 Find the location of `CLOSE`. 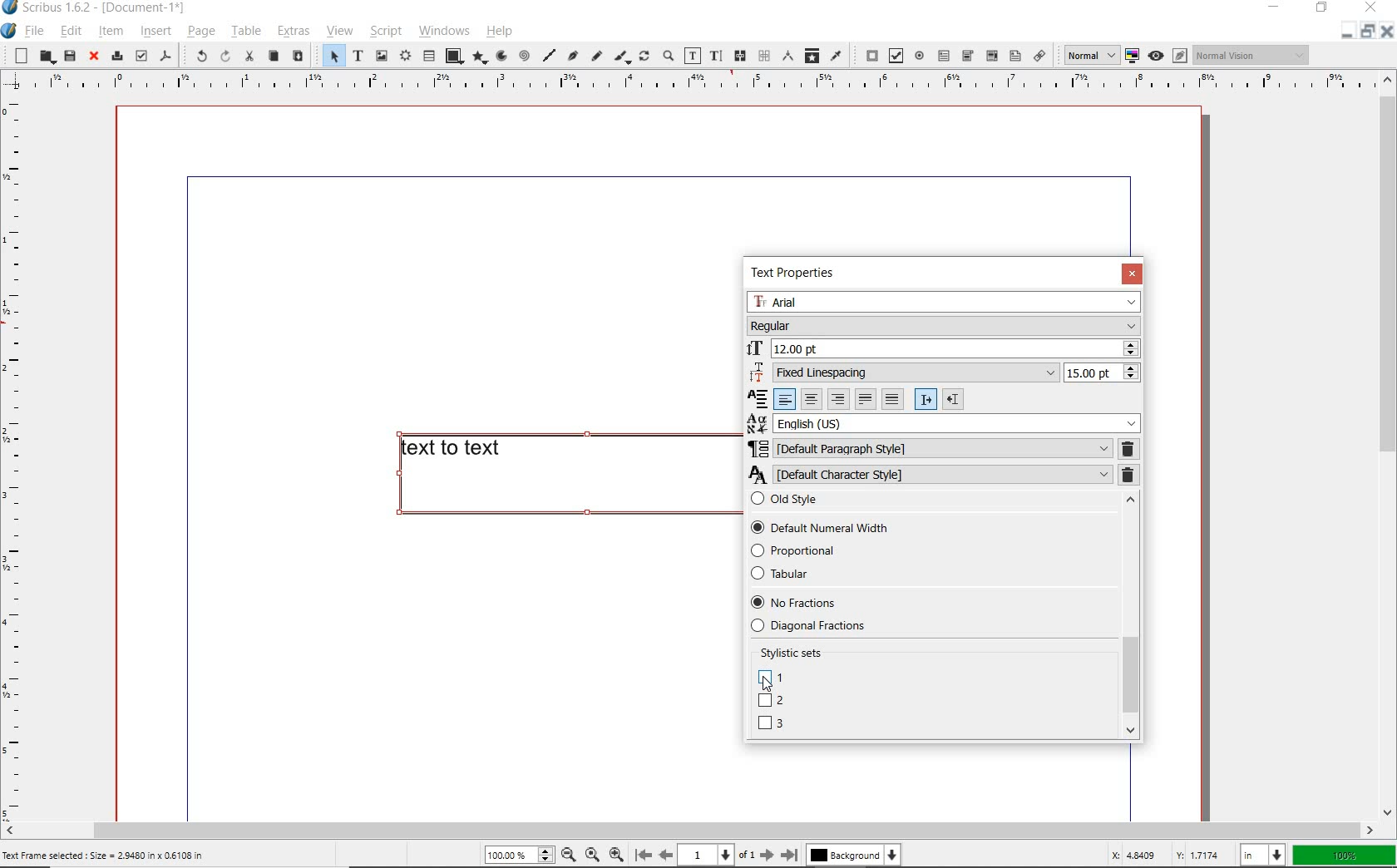

CLOSE is located at coordinates (1131, 274).